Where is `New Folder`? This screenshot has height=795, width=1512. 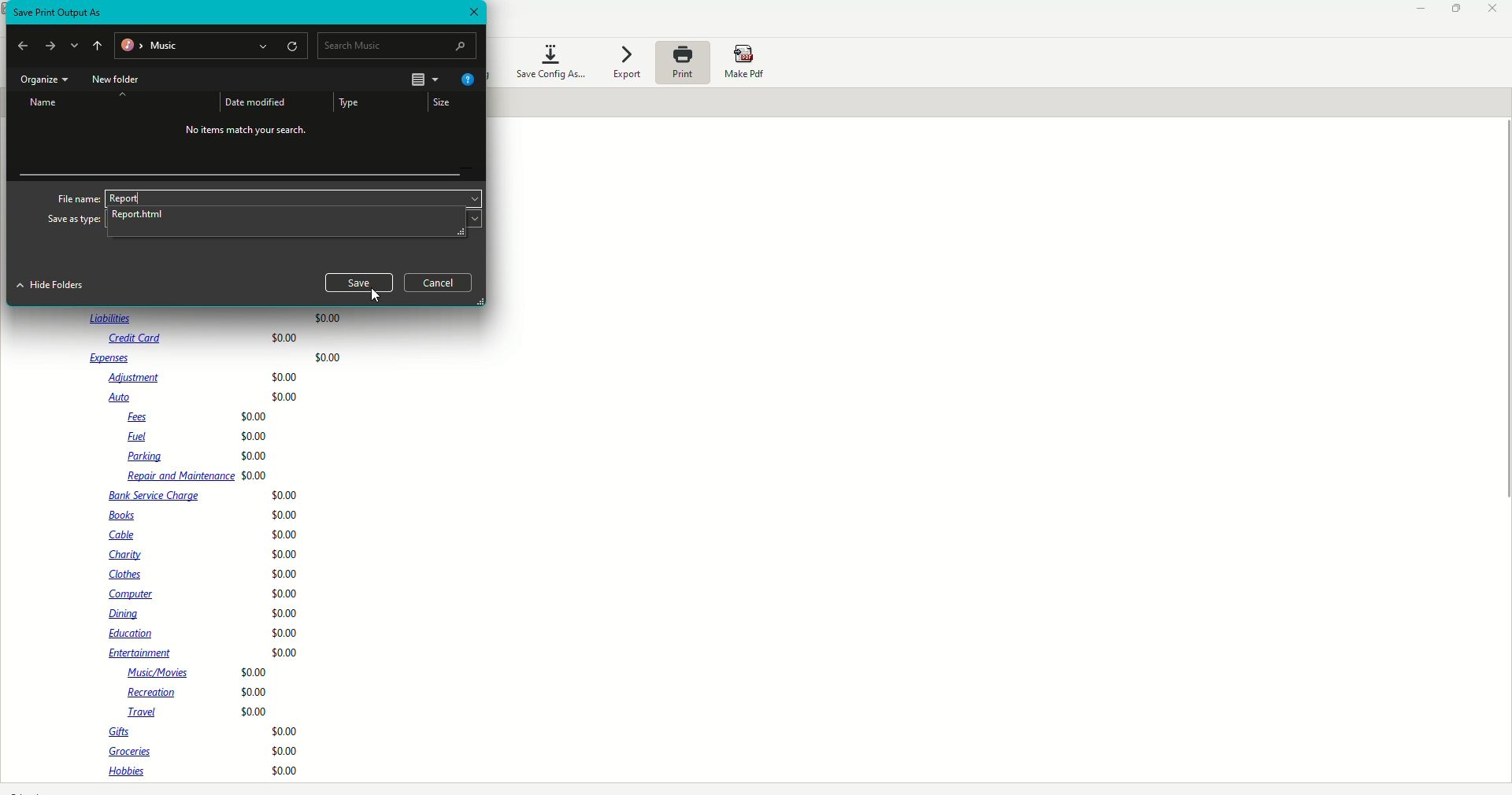
New Folder is located at coordinates (117, 80).